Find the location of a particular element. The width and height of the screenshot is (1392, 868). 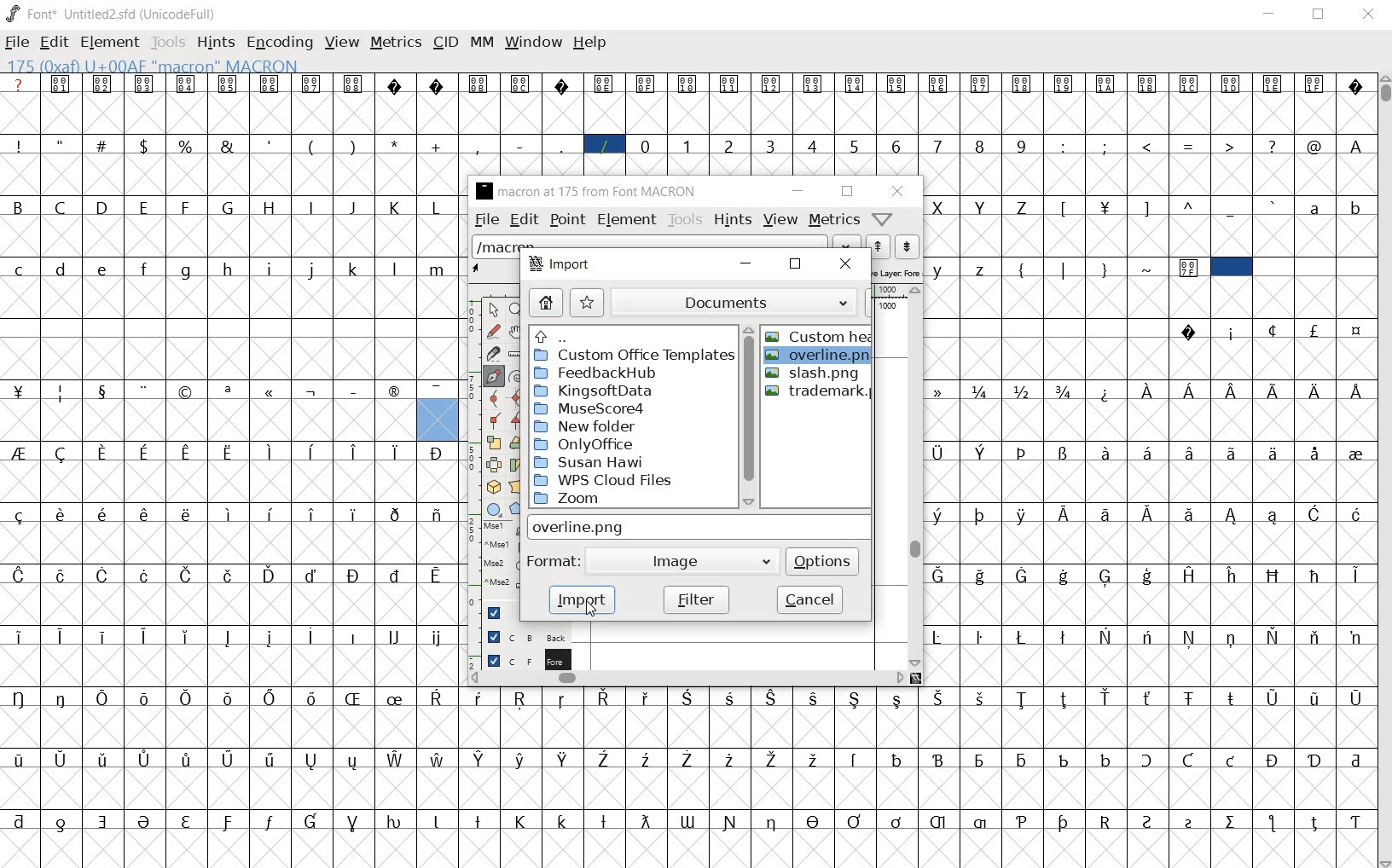

Symbol is located at coordinates (438, 575).